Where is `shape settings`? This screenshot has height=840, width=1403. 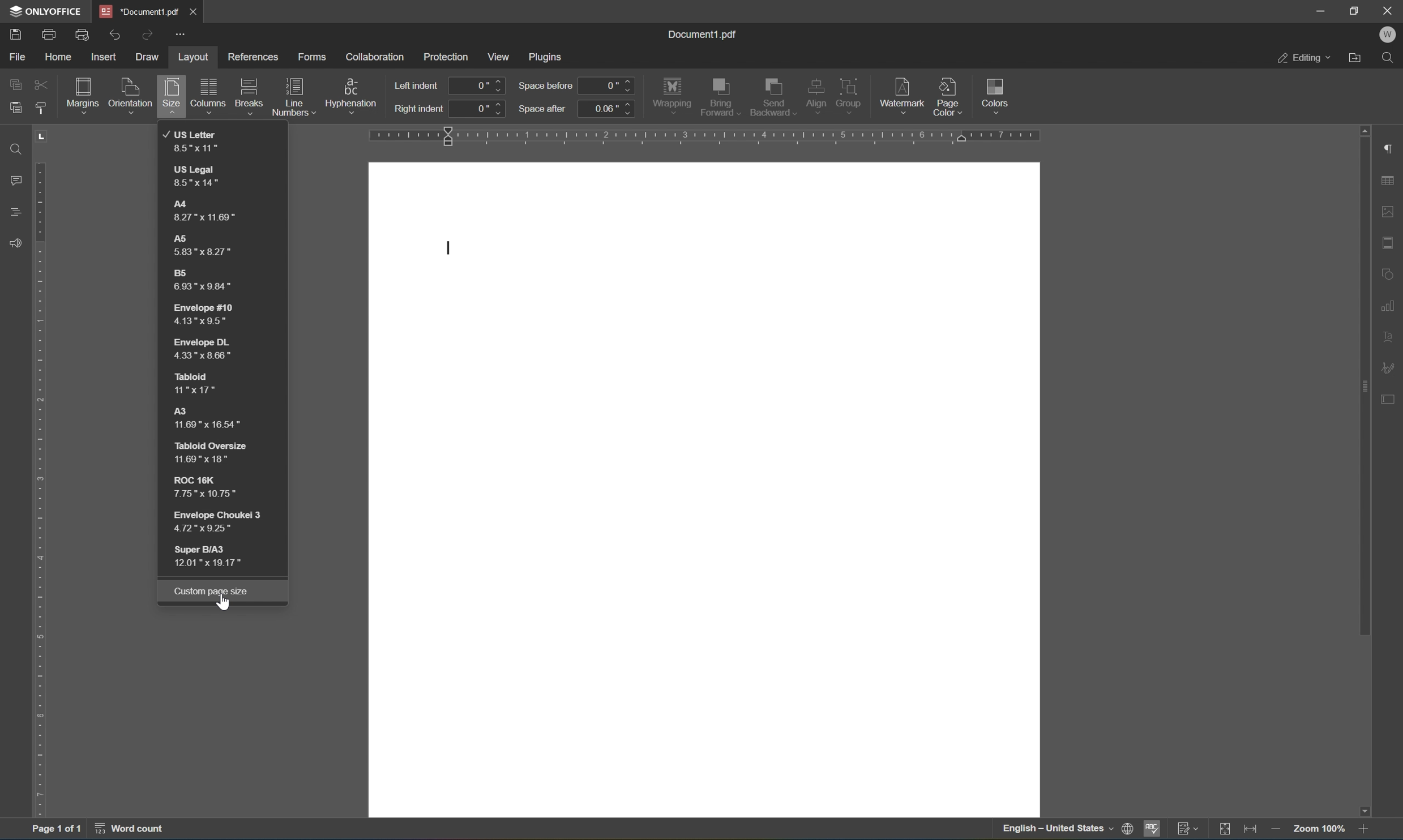 shape settings is located at coordinates (1391, 274).